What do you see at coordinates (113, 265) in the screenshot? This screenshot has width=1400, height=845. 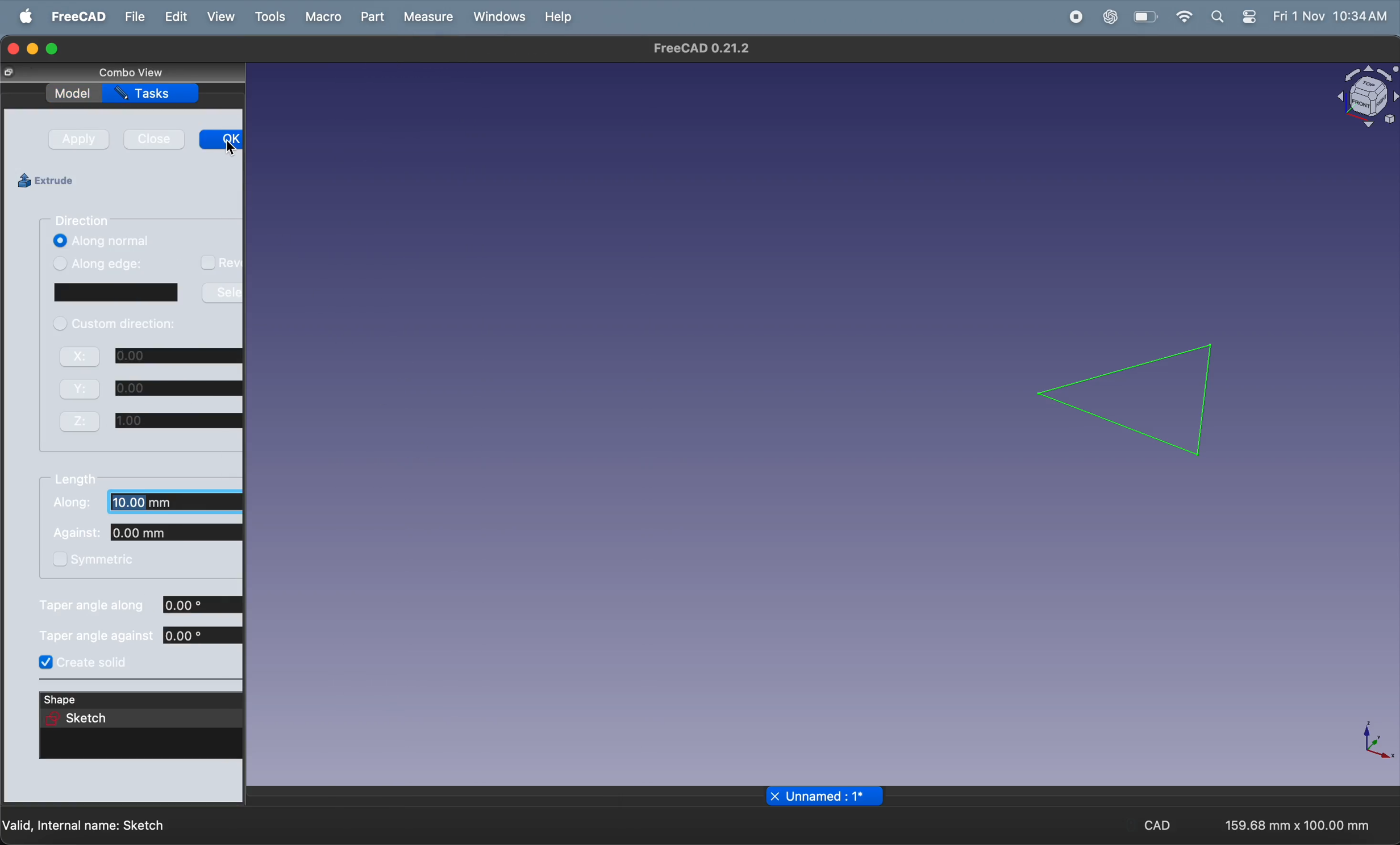 I see `along edge` at bounding box center [113, 265].